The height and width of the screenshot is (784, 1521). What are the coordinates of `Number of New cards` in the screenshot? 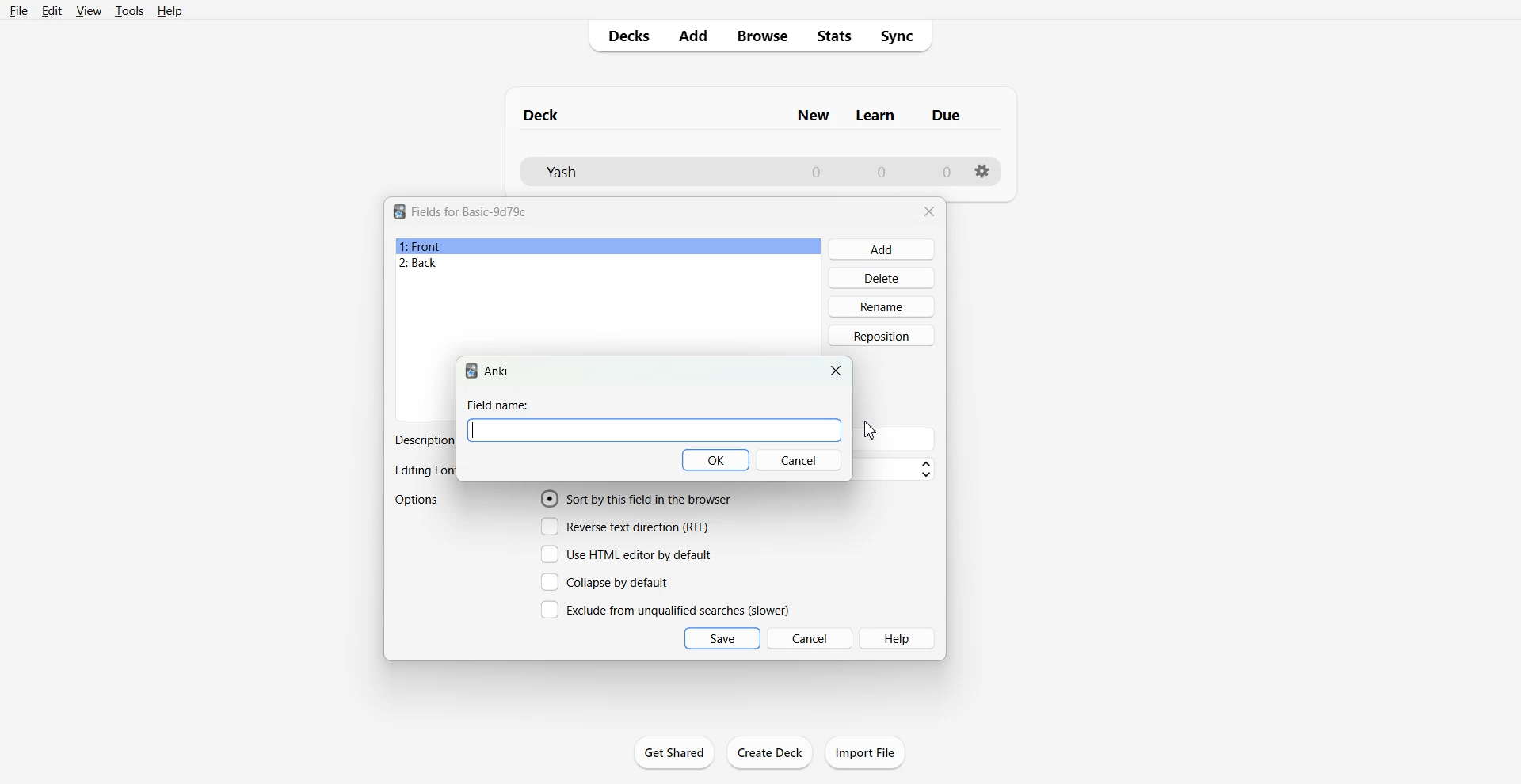 It's located at (816, 172).